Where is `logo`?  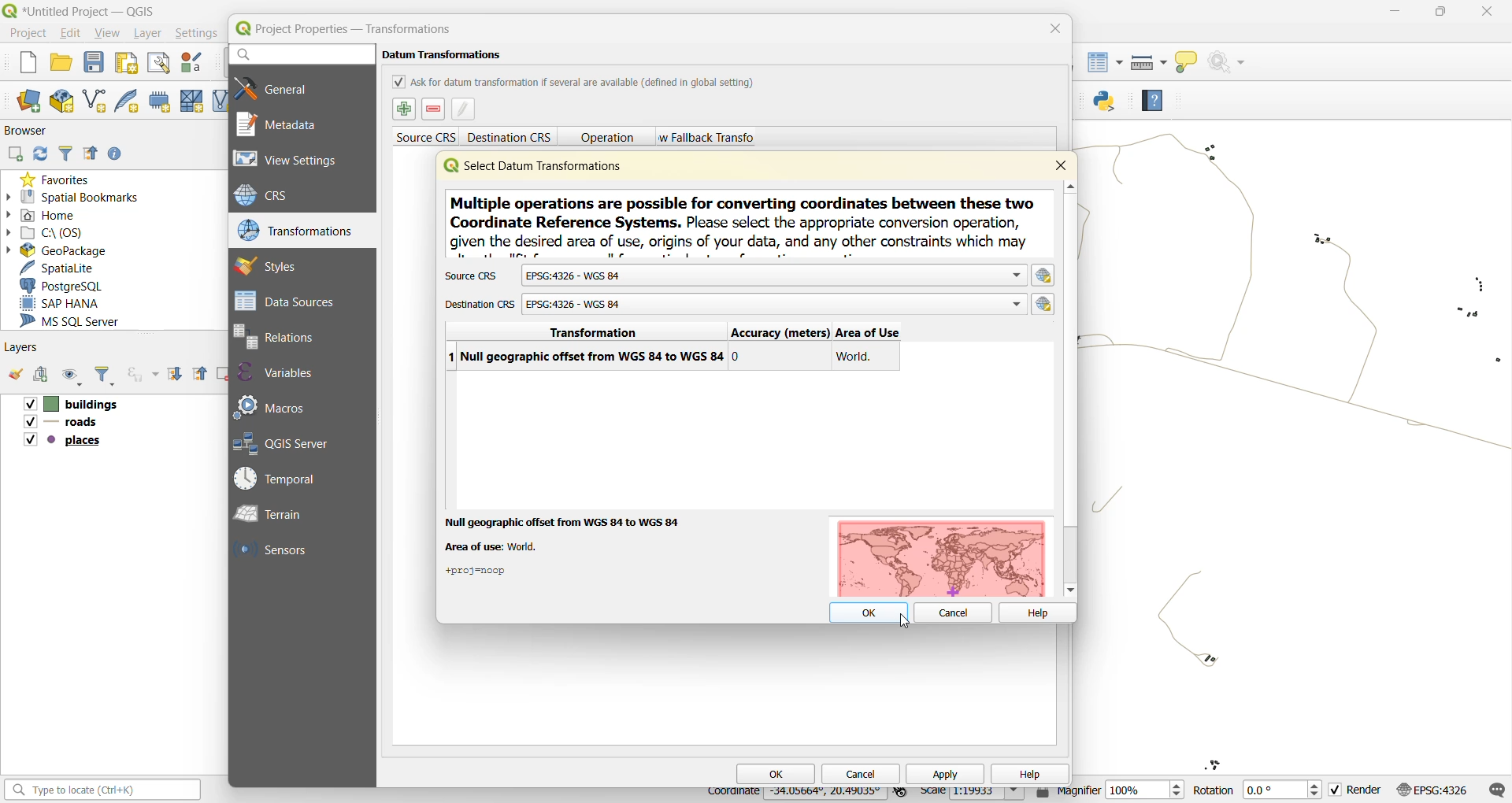
logo is located at coordinates (9, 10).